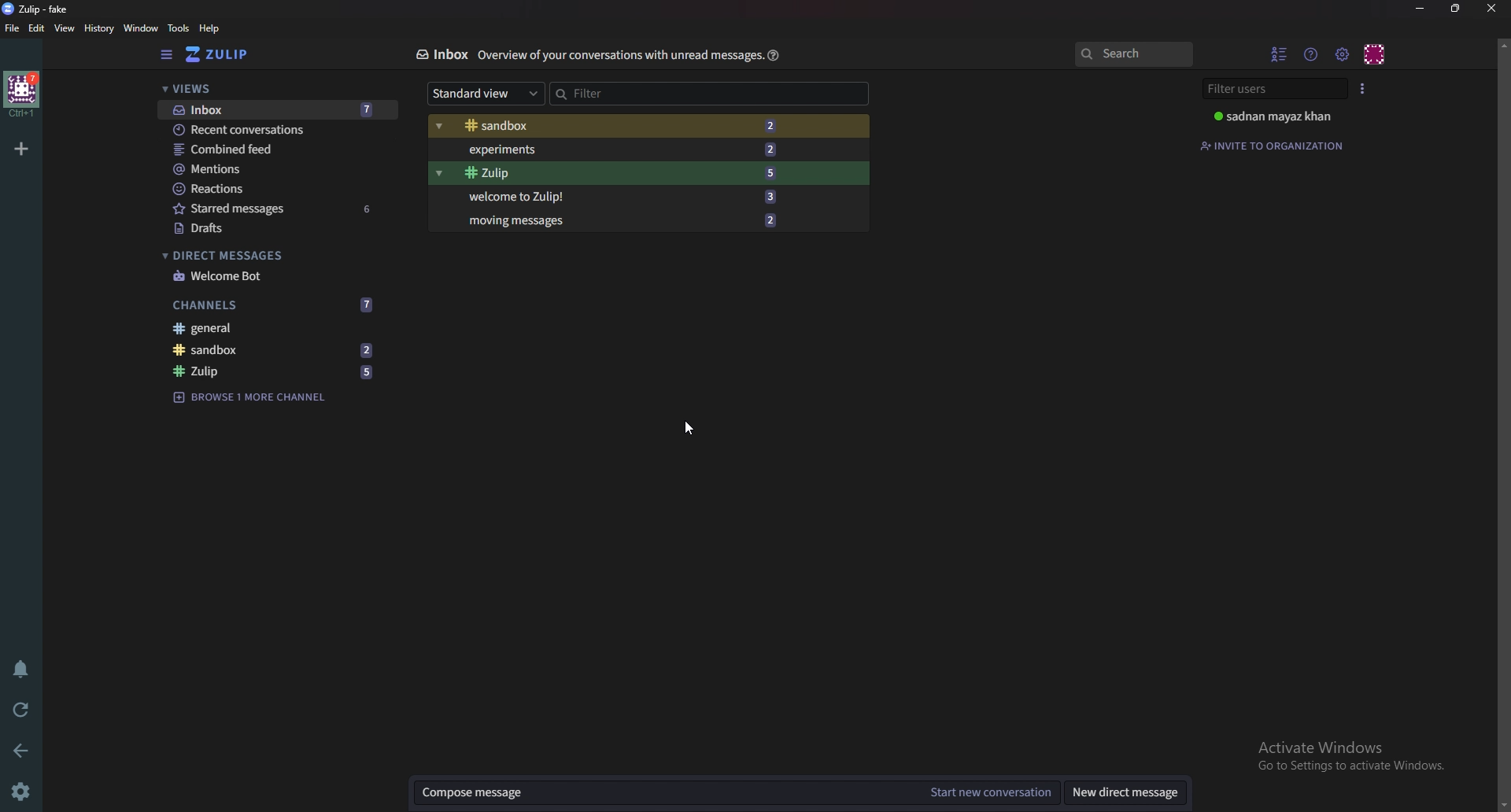 The width and height of the screenshot is (1511, 812). Describe the element at coordinates (24, 749) in the screenshot. I see `Back` at that location.